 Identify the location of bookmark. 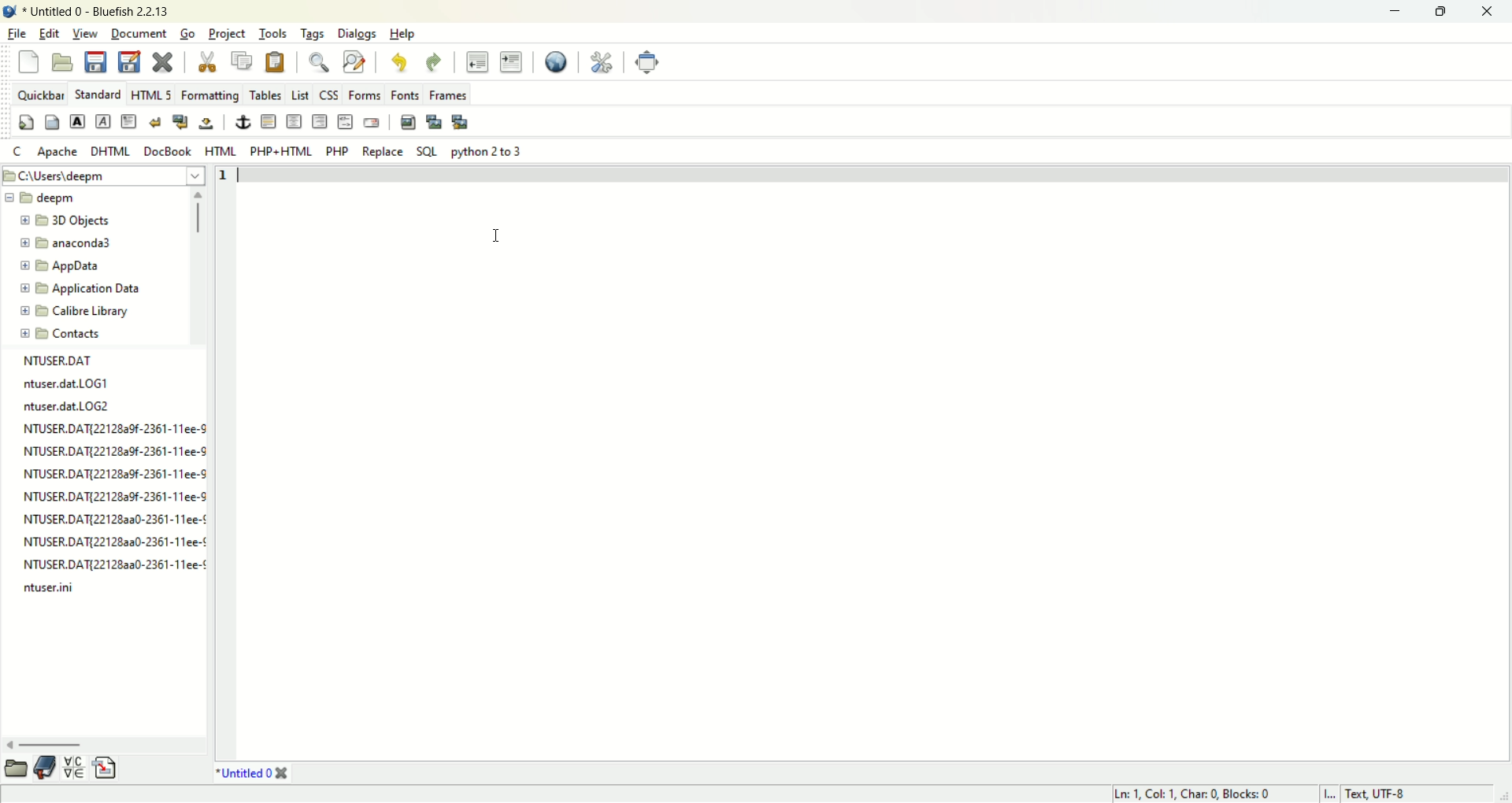
(48, 768).